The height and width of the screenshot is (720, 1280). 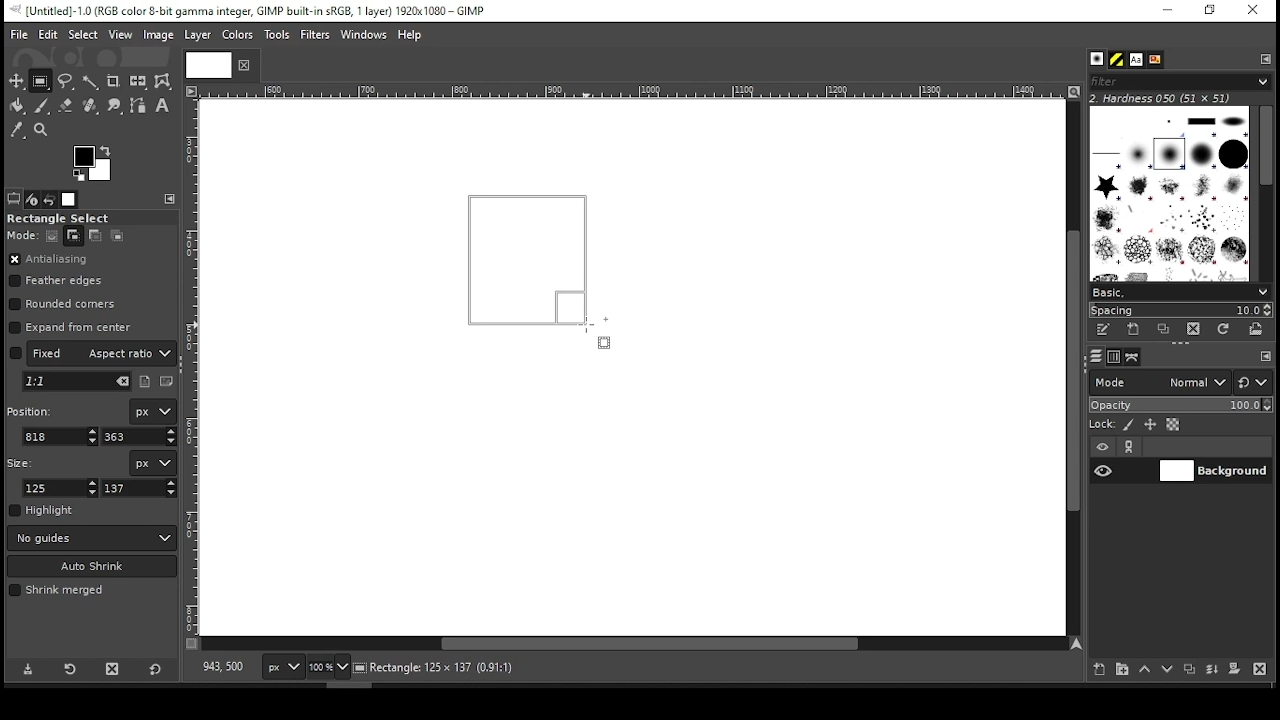 What do you see at coordinates (51, 200) in the screenshot?
I see `undo history` at bounding box center [51, 200].